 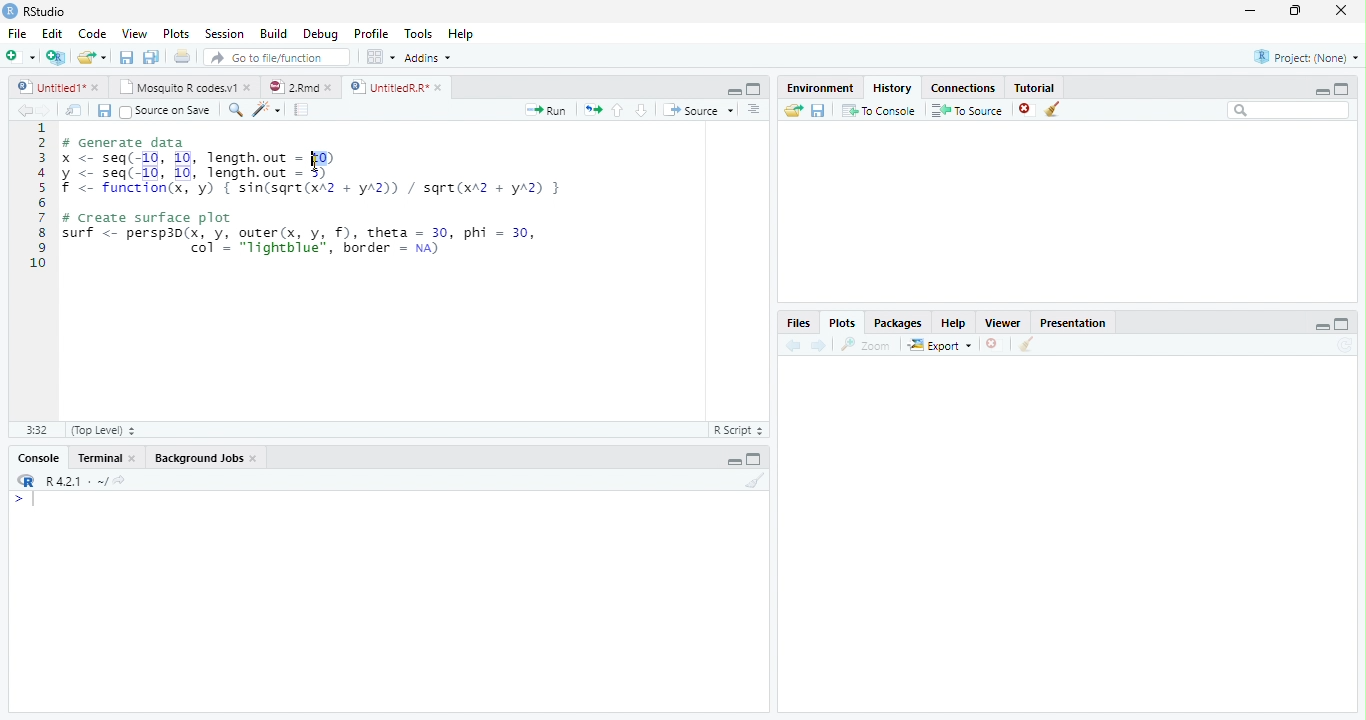 What do you see at coordinates (39, 197) in the screenshot?
I see `Line numbers` at bounding box center [39, 197].